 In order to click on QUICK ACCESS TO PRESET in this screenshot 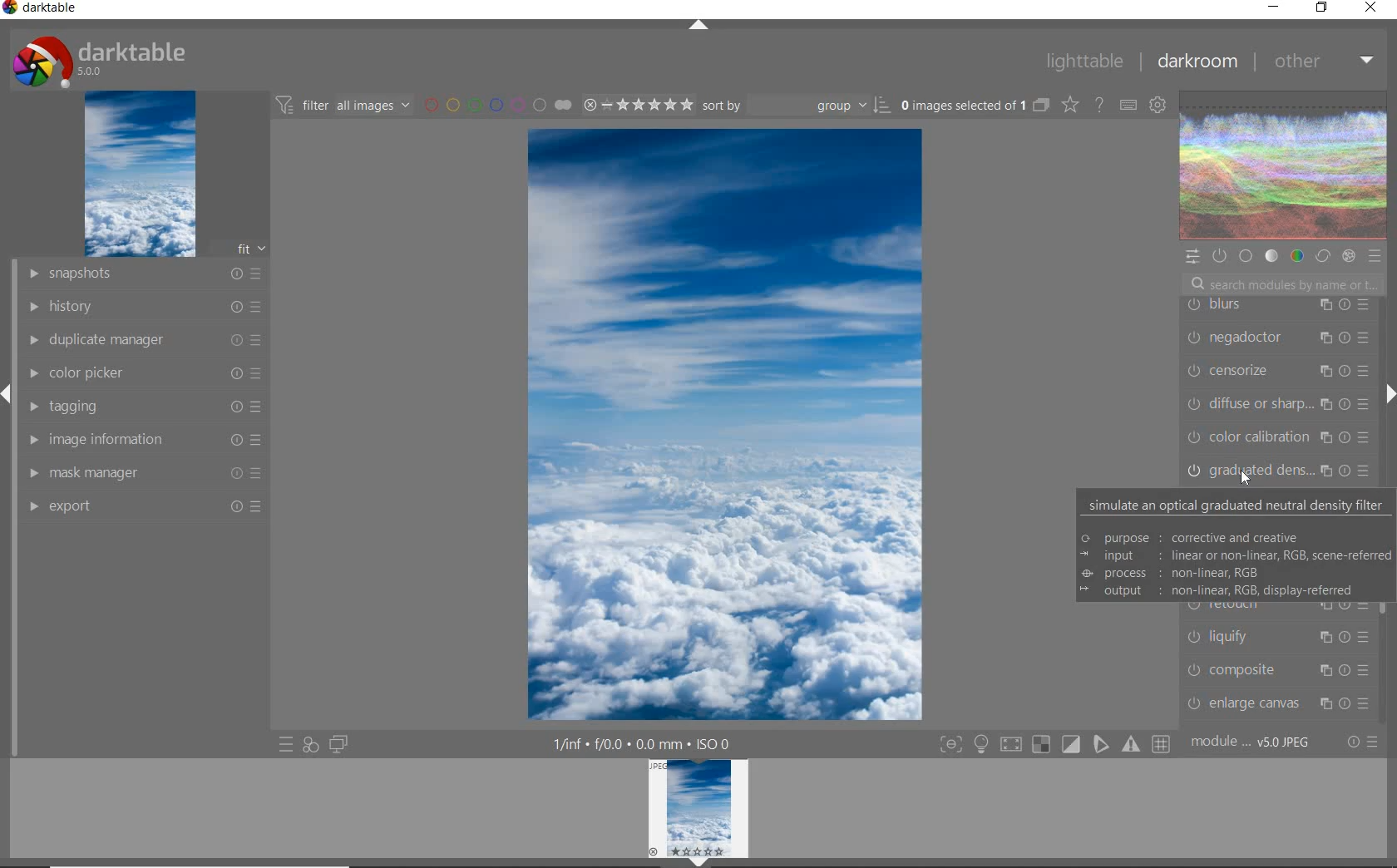, I will do `click(285, 745)`.